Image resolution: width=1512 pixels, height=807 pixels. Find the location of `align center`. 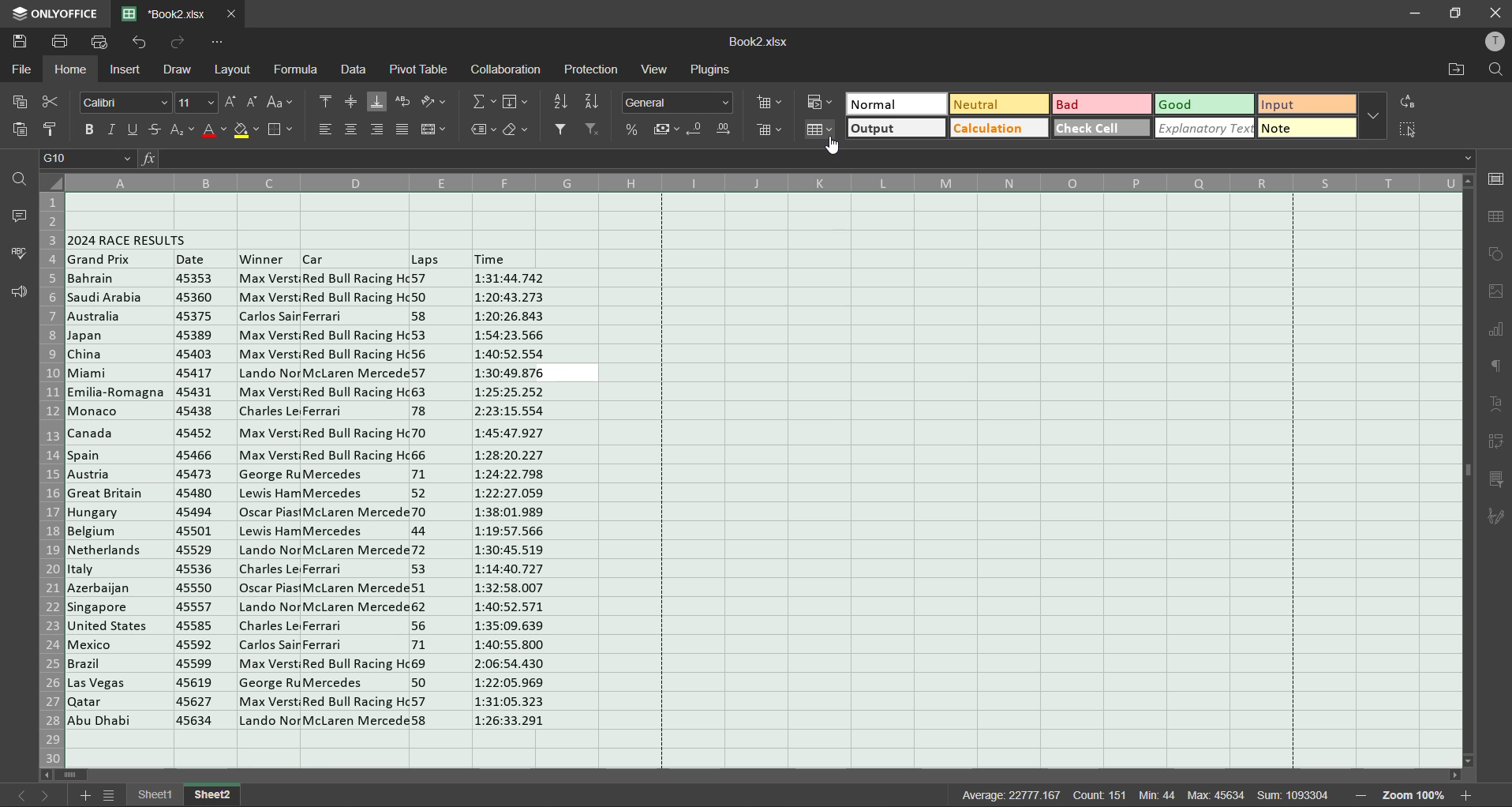

align center is located at coordinates (350, 129).